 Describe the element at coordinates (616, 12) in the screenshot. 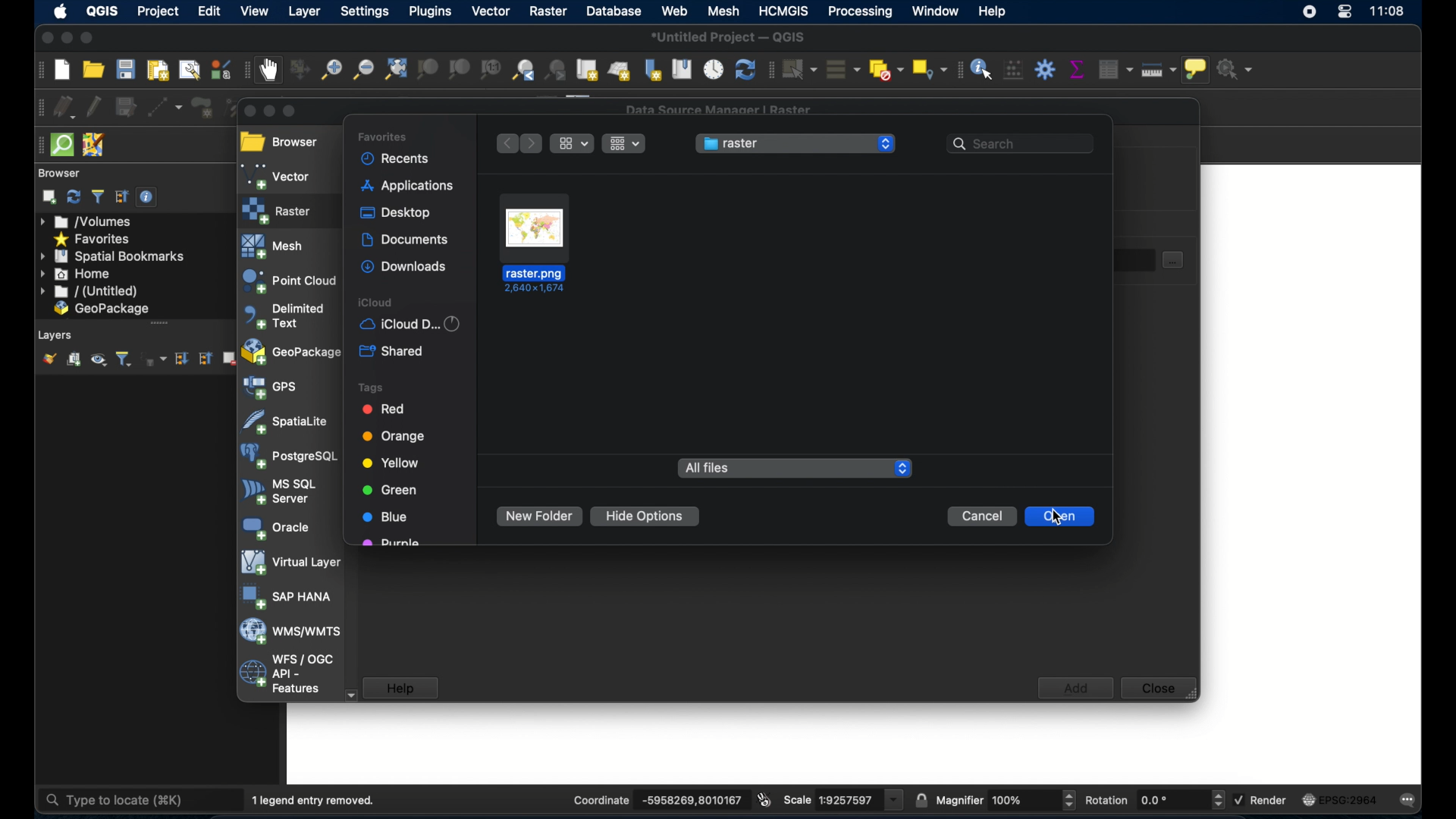

I see `database` at that location.